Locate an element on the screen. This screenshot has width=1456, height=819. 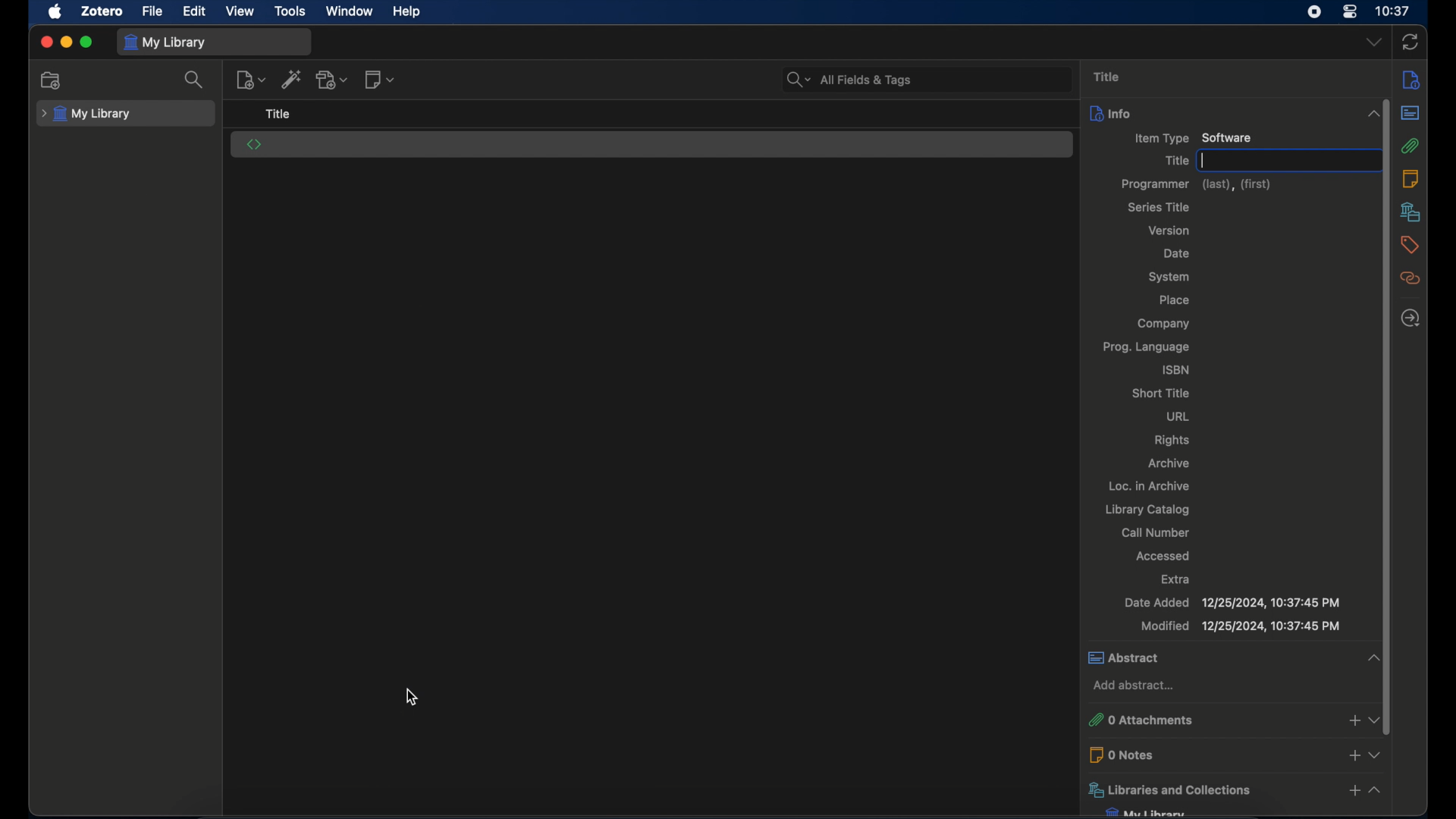
maximize is located at coordinates (87, 43).